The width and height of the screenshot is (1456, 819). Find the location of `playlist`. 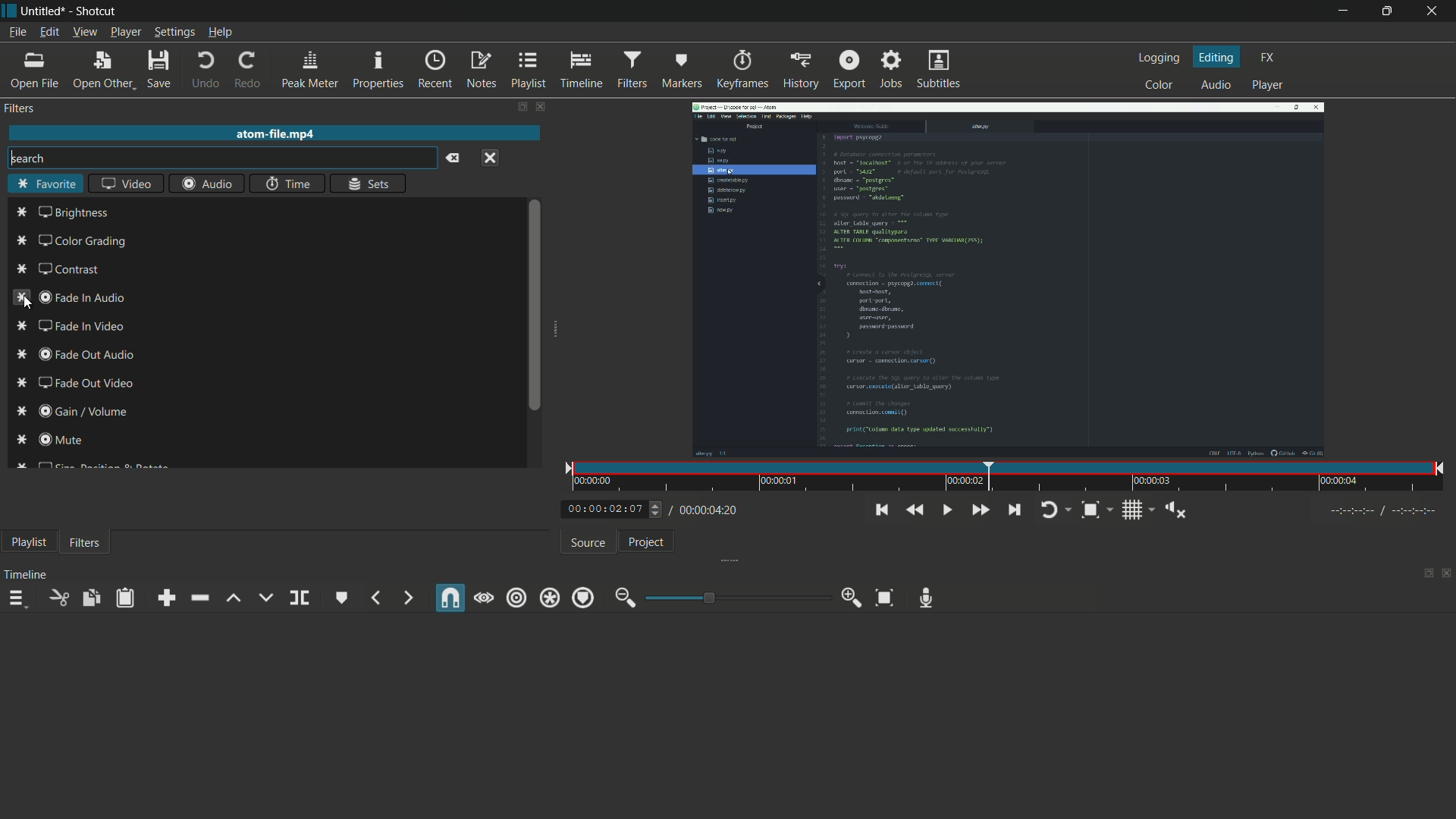

playlist is located at coordinates (529, 70).